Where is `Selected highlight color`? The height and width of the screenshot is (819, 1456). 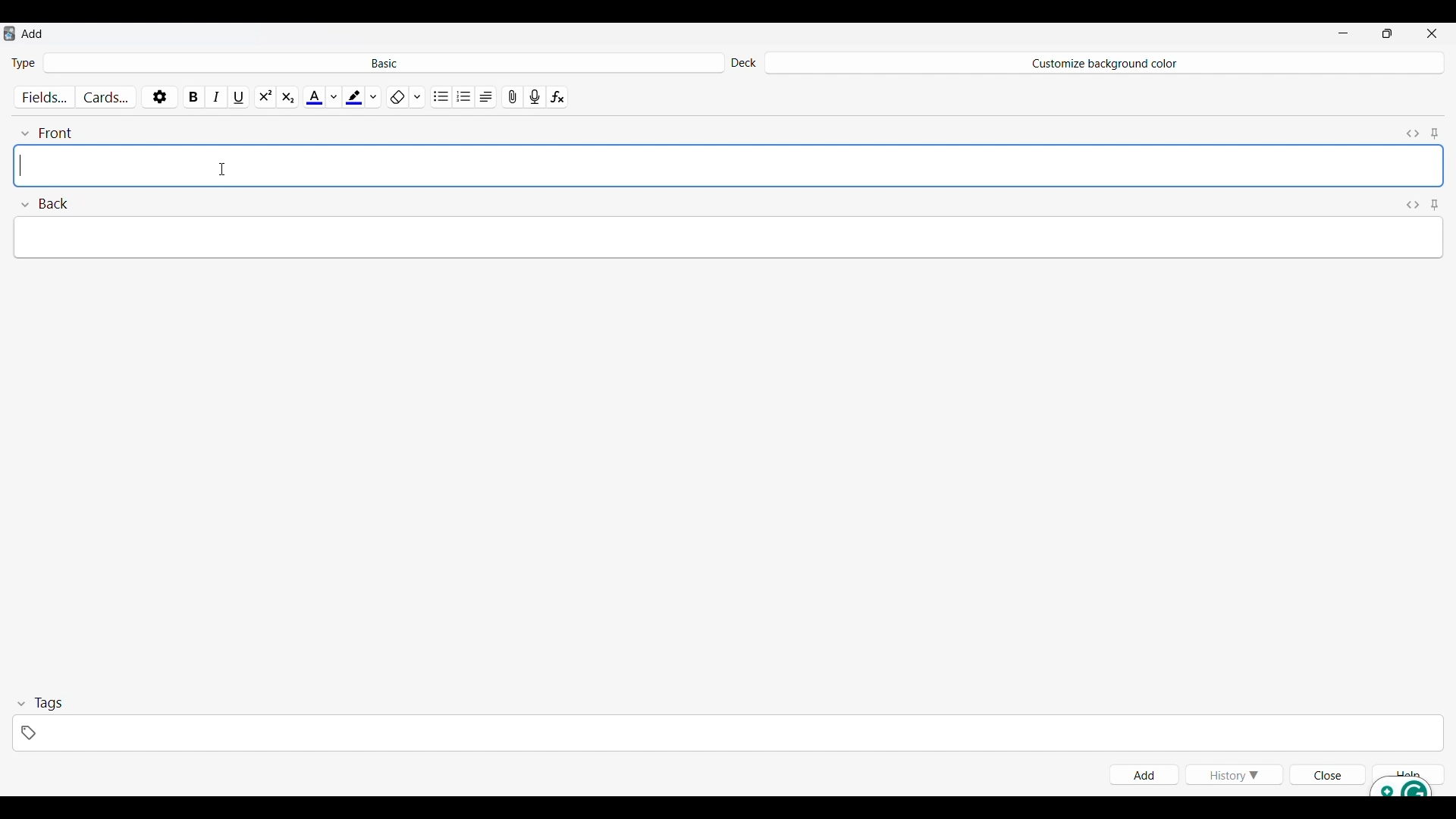 Selected highlight color is located at coordinates (353, 94).